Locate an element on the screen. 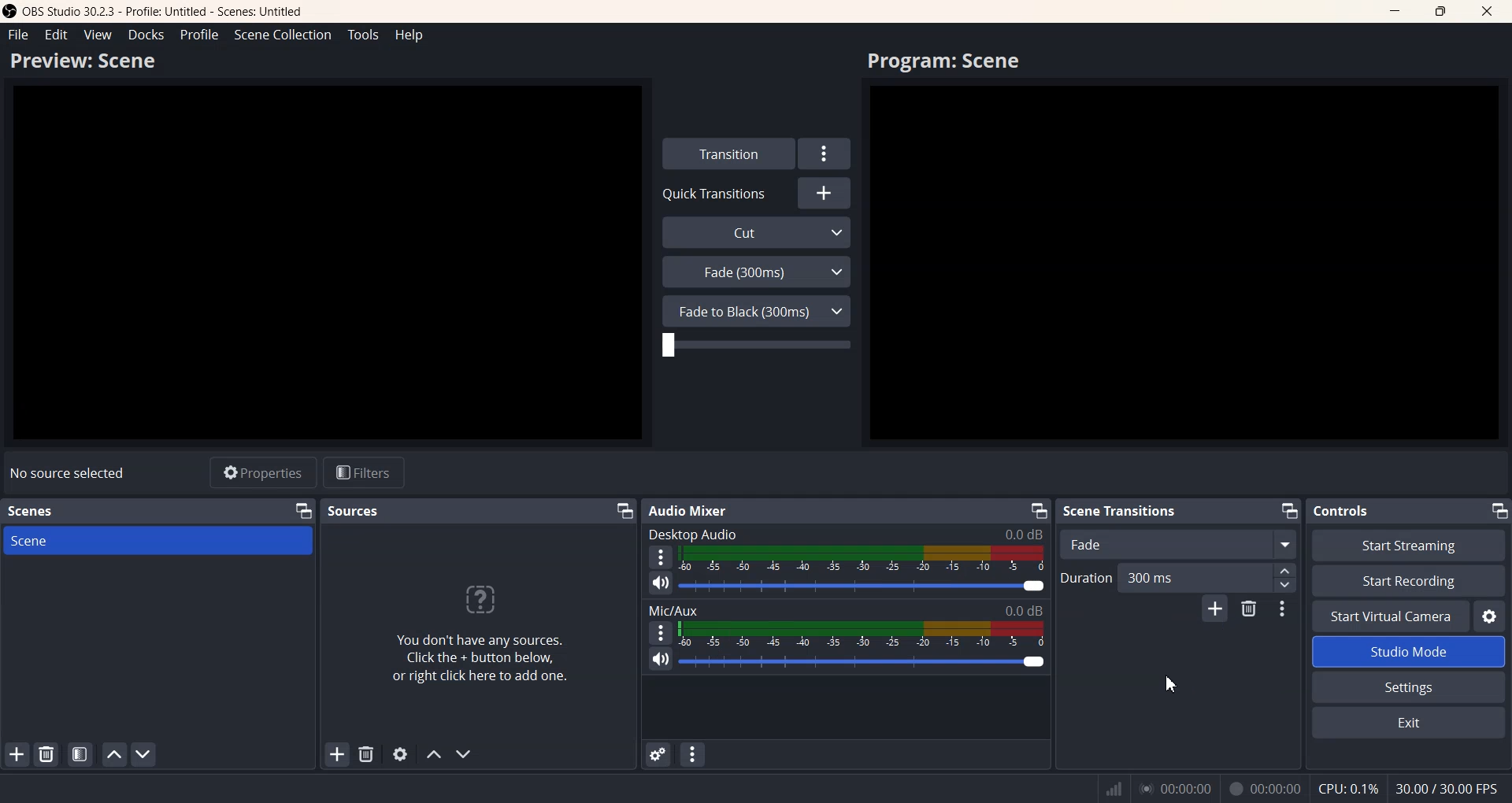 This screenshot has width=1512, height=803. Filters is located at coordinates (366, 473).